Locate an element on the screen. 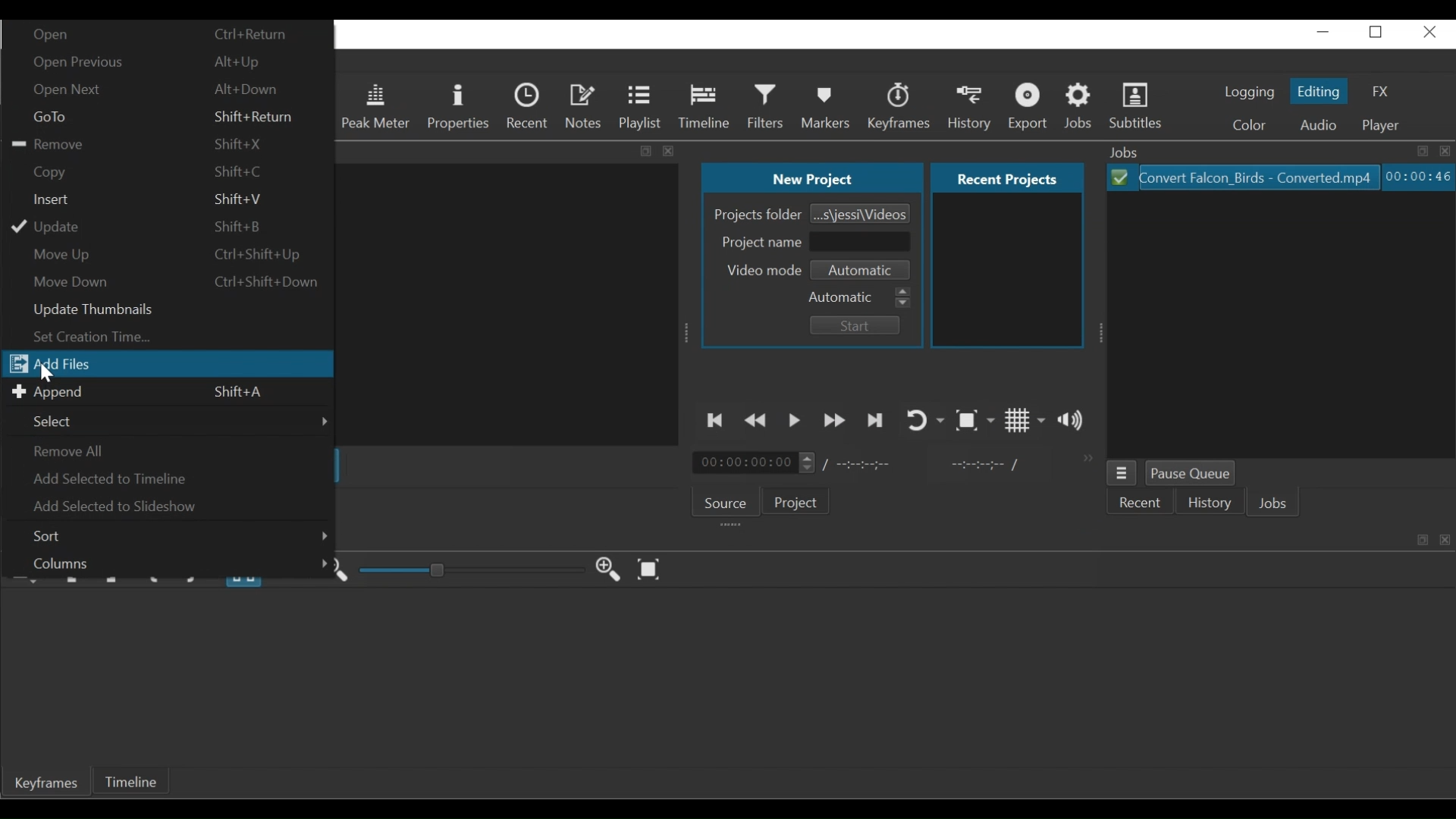 The width and height of the screenshot is (1456, 819). Append is located at coordinates (162, 393).